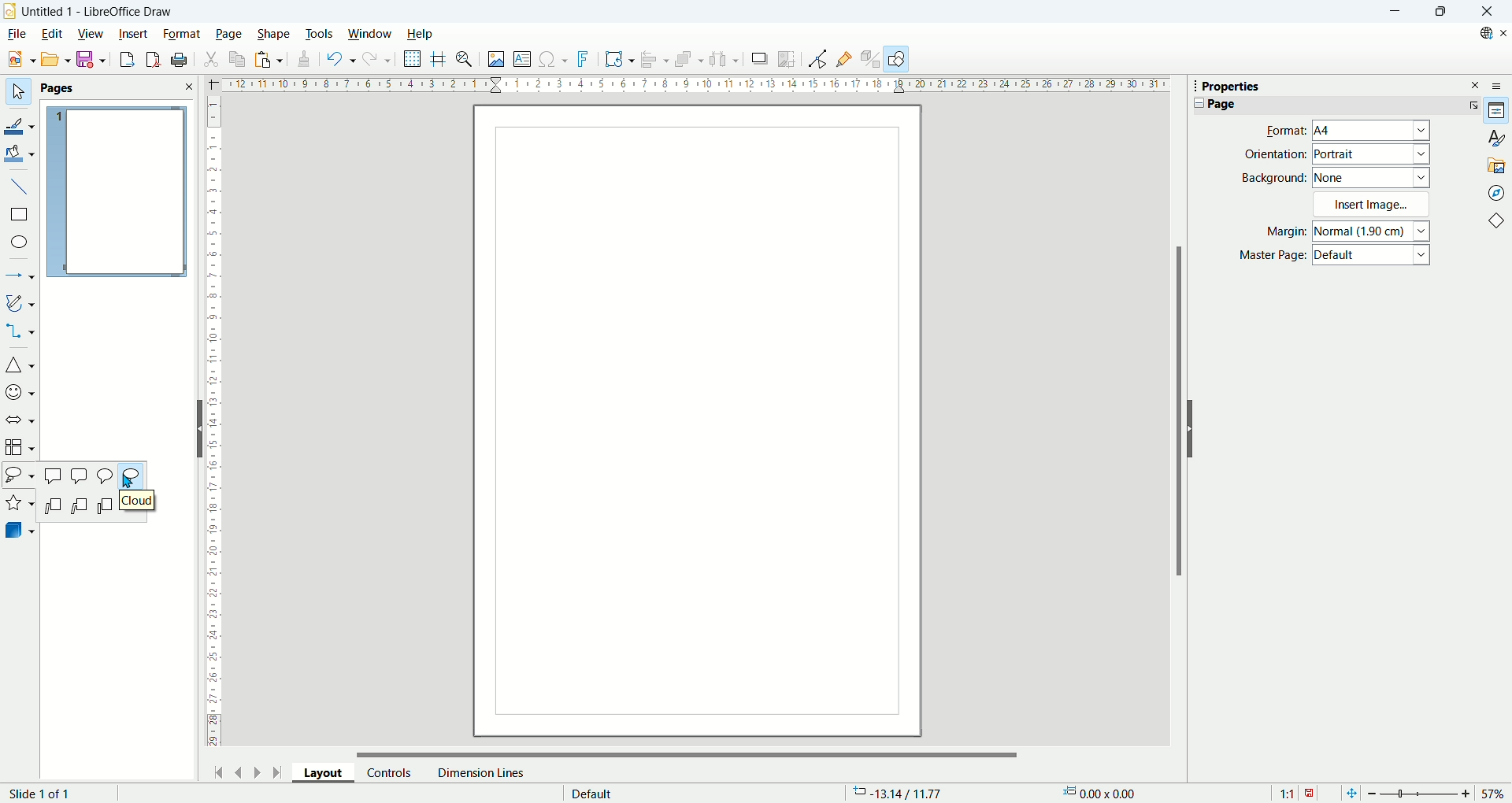 This screenshot has height=803, width=1512. I want to click on default, so click(592, 791).